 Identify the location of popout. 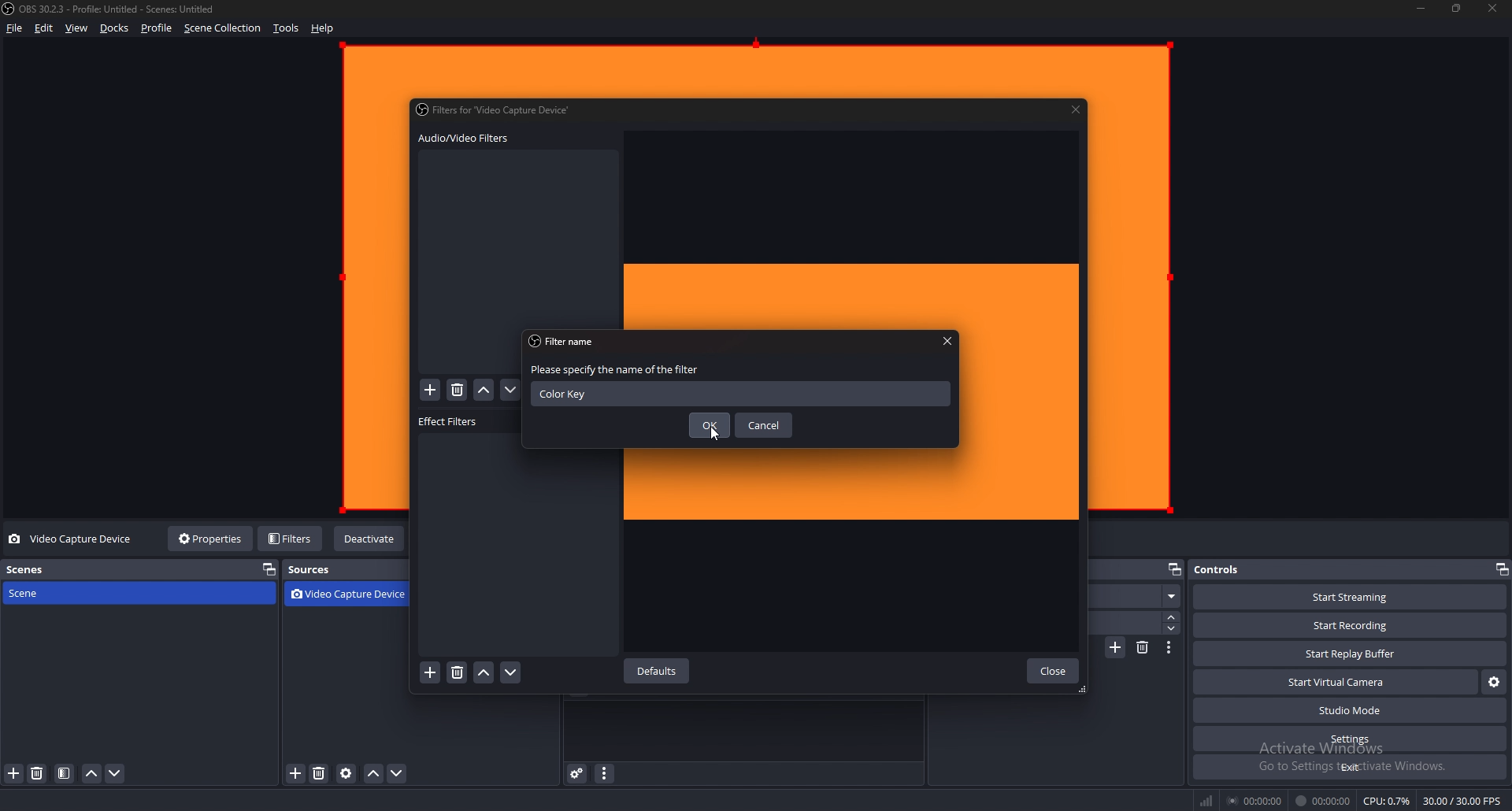
(1174, 571).